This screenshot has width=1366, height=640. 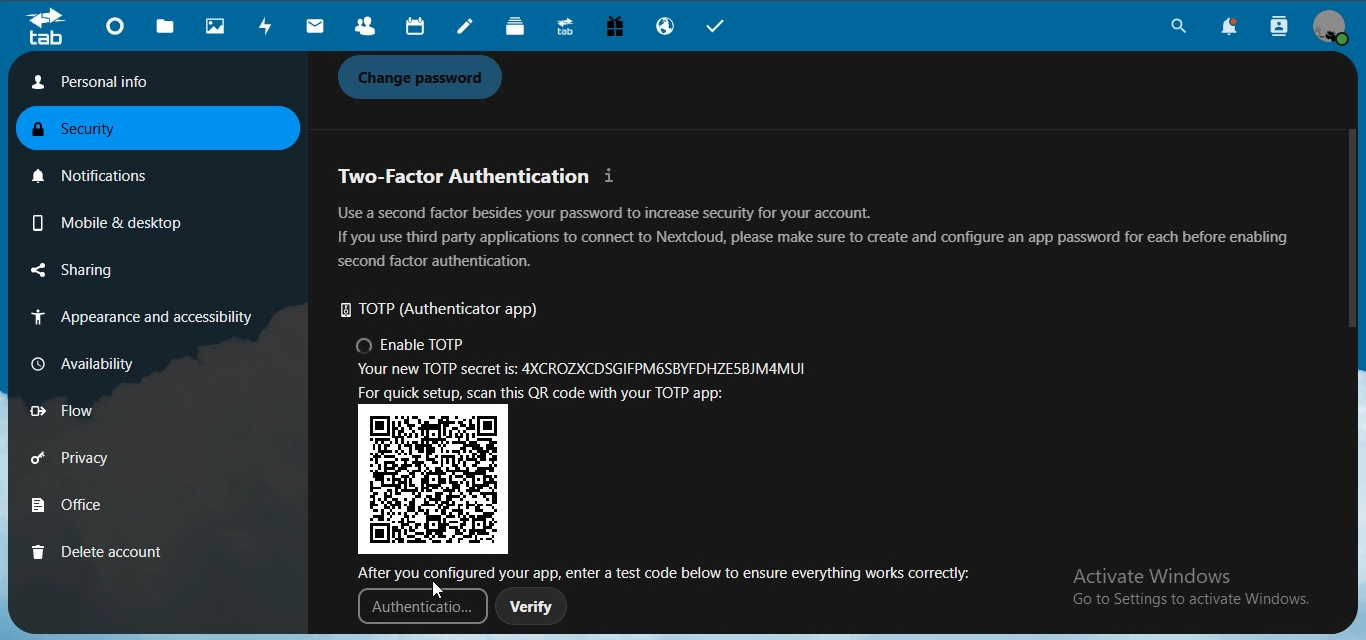 What do you see at coordinates (672, 571) in the screenshot?
I see `After you configured your app, enter a test code below to ensure everything works correctly:` at bounding box center [672, 571].